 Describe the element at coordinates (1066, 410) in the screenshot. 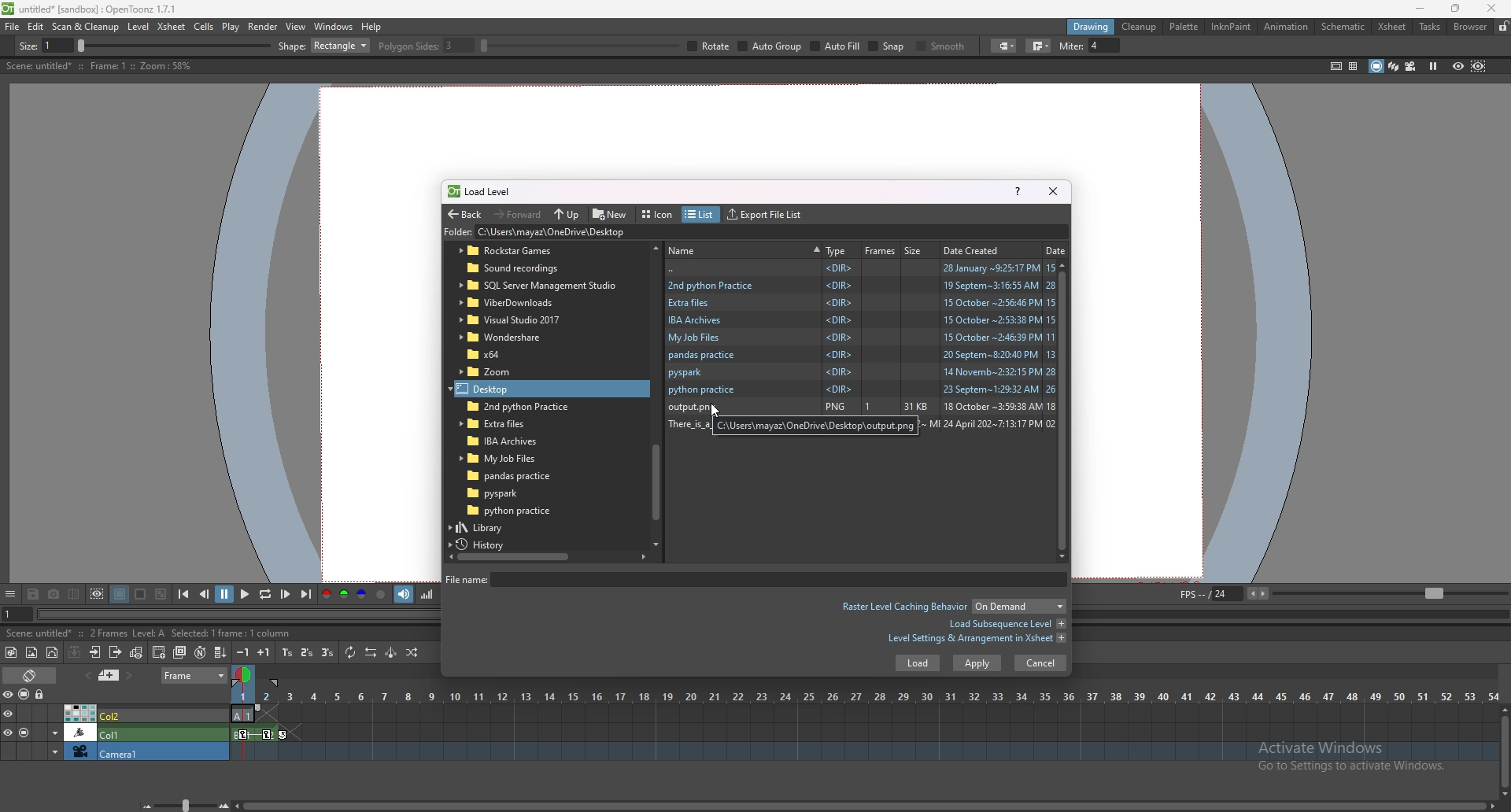

I see `scroll bar` at that location.